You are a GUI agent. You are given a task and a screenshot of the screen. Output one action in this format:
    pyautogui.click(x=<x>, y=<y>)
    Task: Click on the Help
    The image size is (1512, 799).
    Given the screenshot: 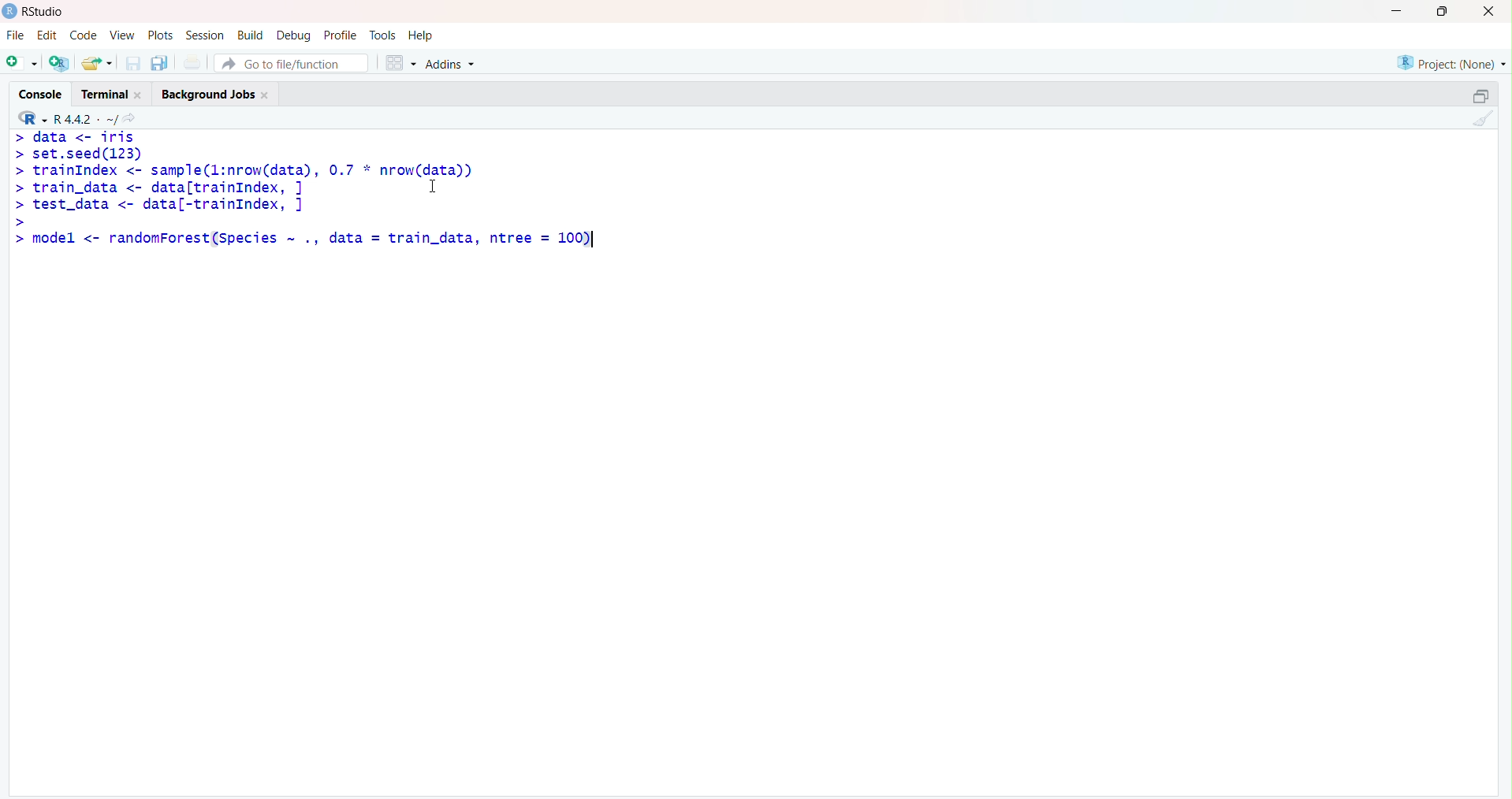 What is the action you would take?
    pyautogui.click(x=422, y=36)
    